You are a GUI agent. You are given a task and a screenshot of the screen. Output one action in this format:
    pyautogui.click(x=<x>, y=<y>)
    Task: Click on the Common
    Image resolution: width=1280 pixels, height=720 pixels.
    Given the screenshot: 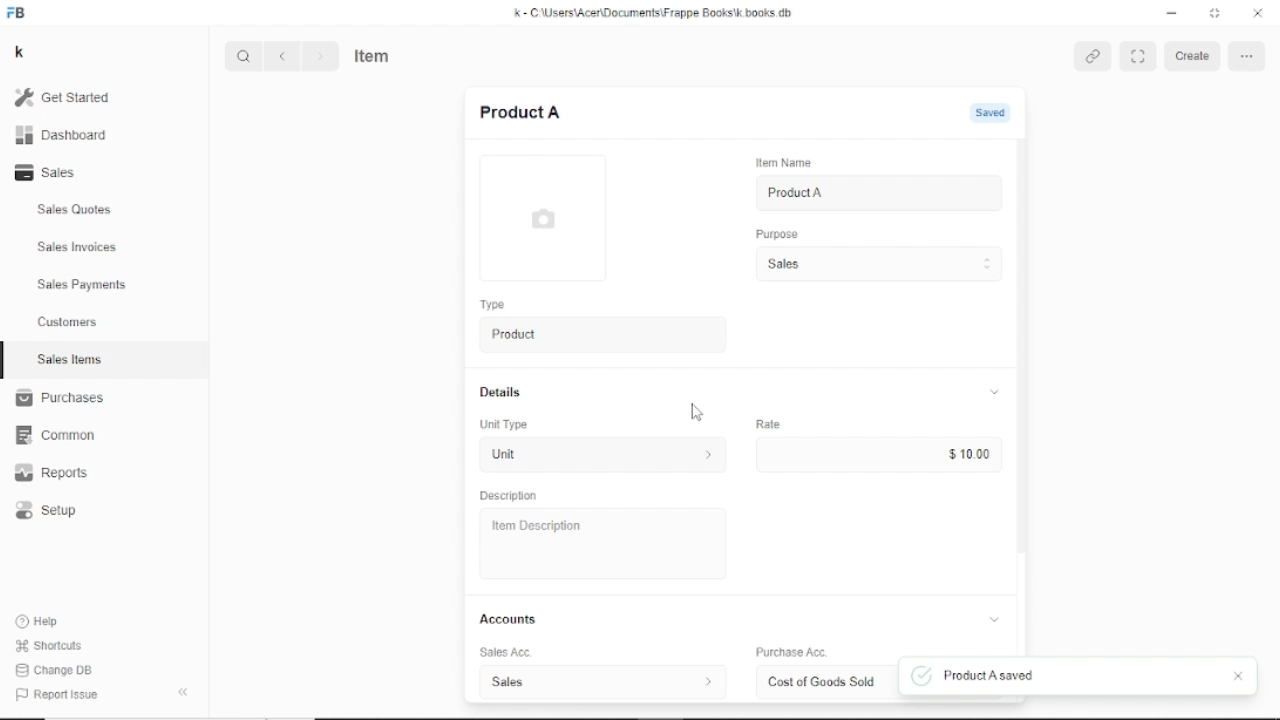 What is the action you would take?
    pyautogui.click(x=55, y=436)
    